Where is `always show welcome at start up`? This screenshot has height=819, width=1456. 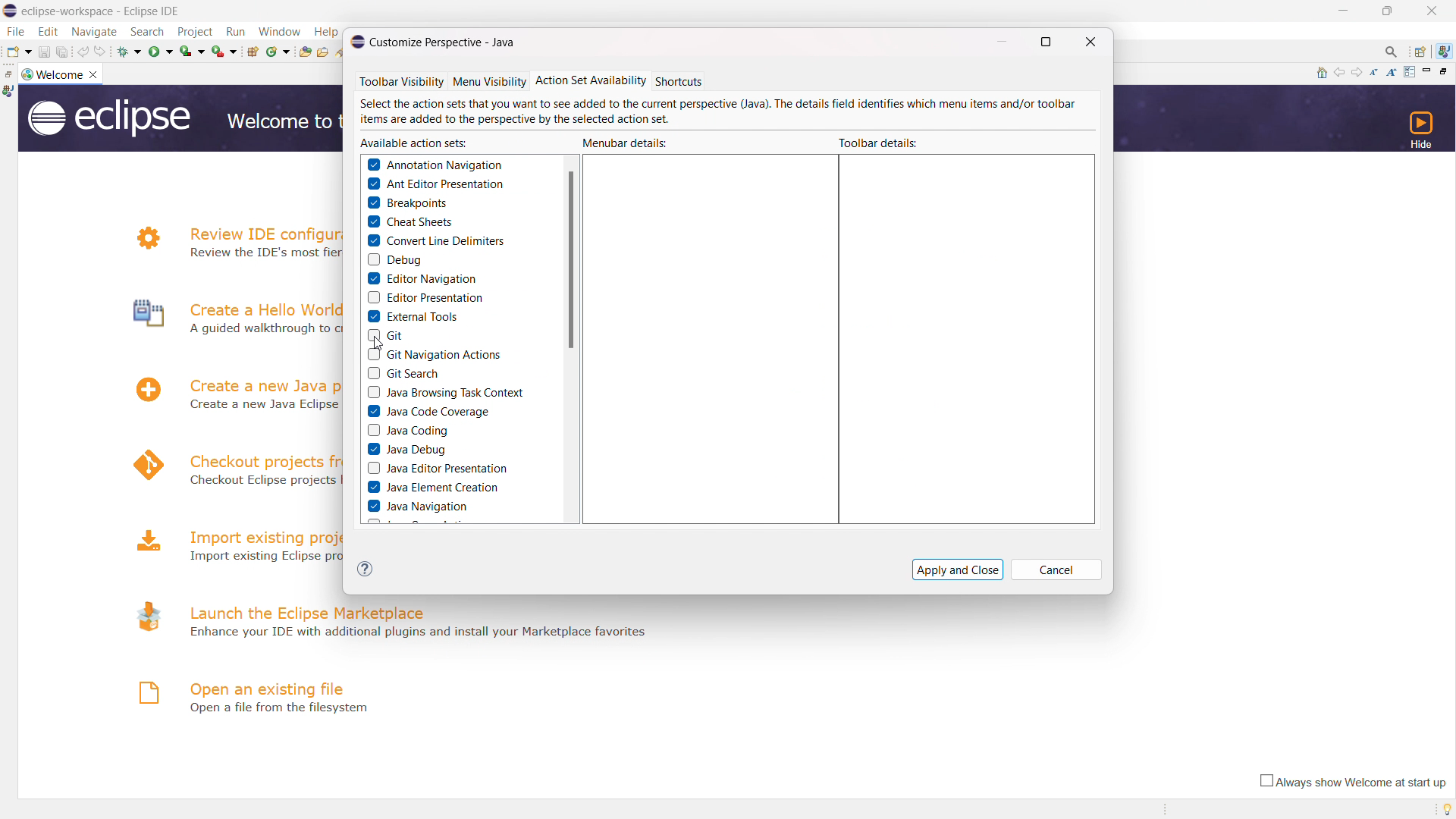
always show welcome at start up is located at coordinates (1350, 782).